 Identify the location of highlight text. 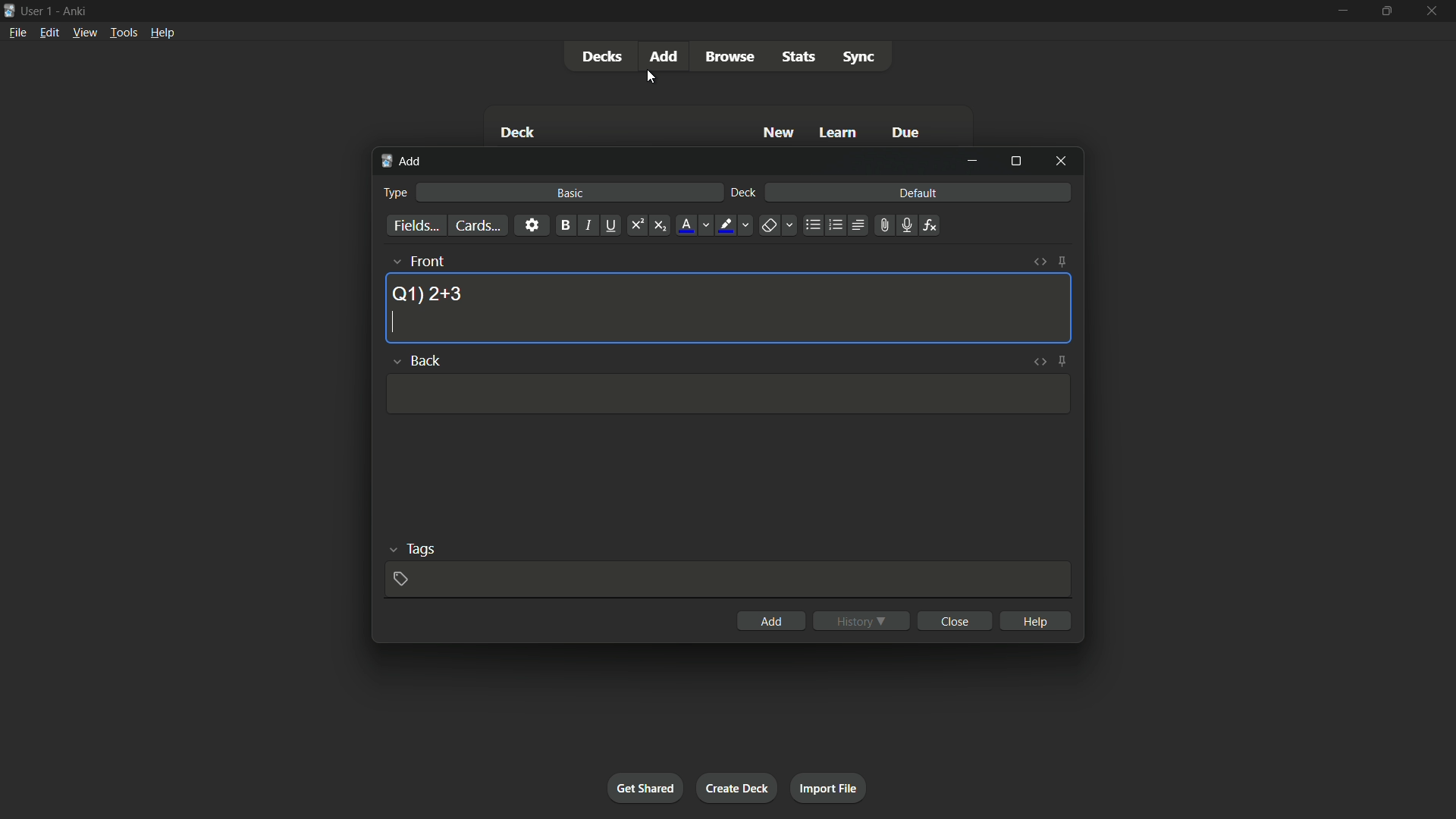
(723, 226).